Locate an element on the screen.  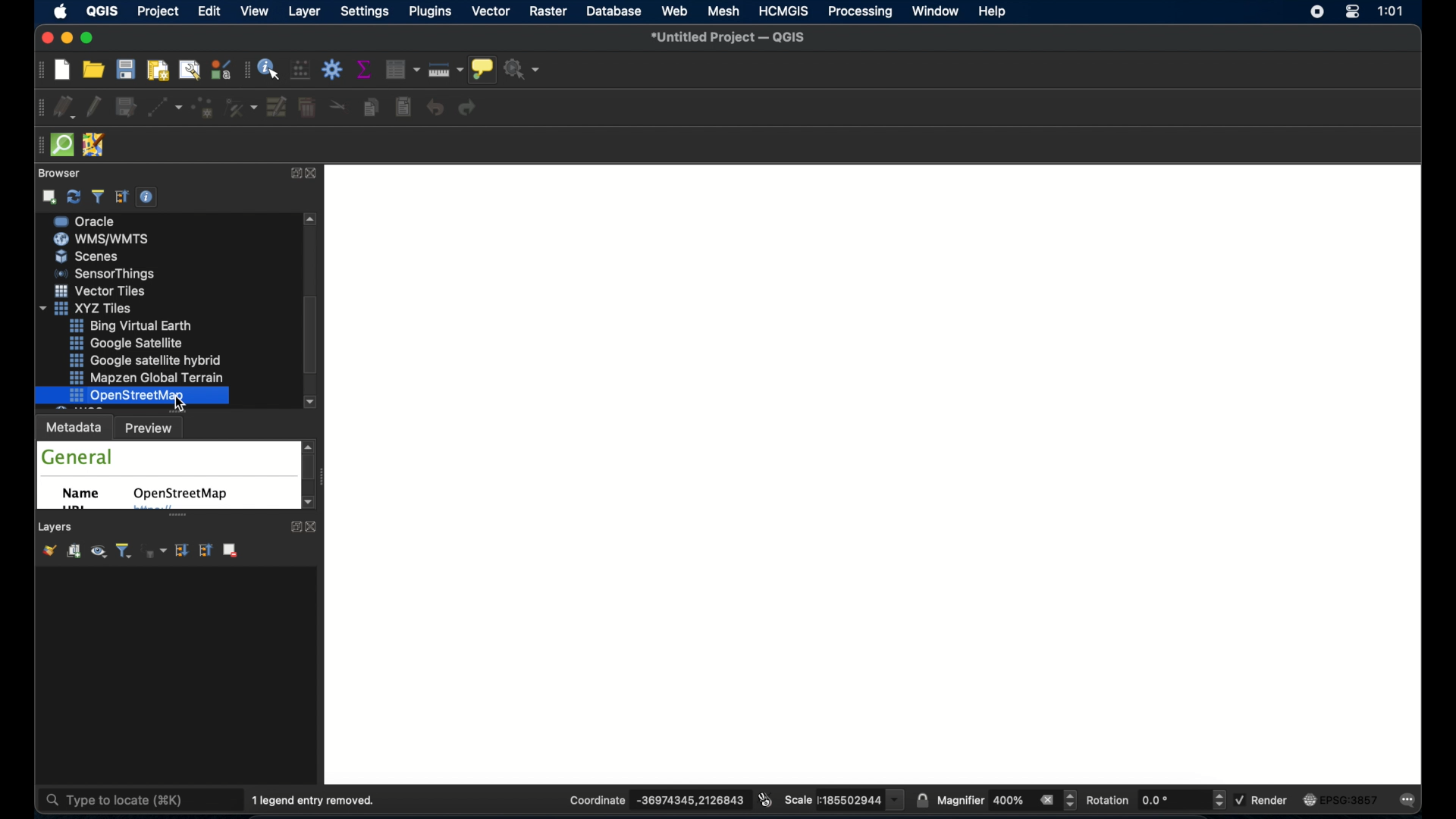
delete selected is located at coordinates (309, 108).